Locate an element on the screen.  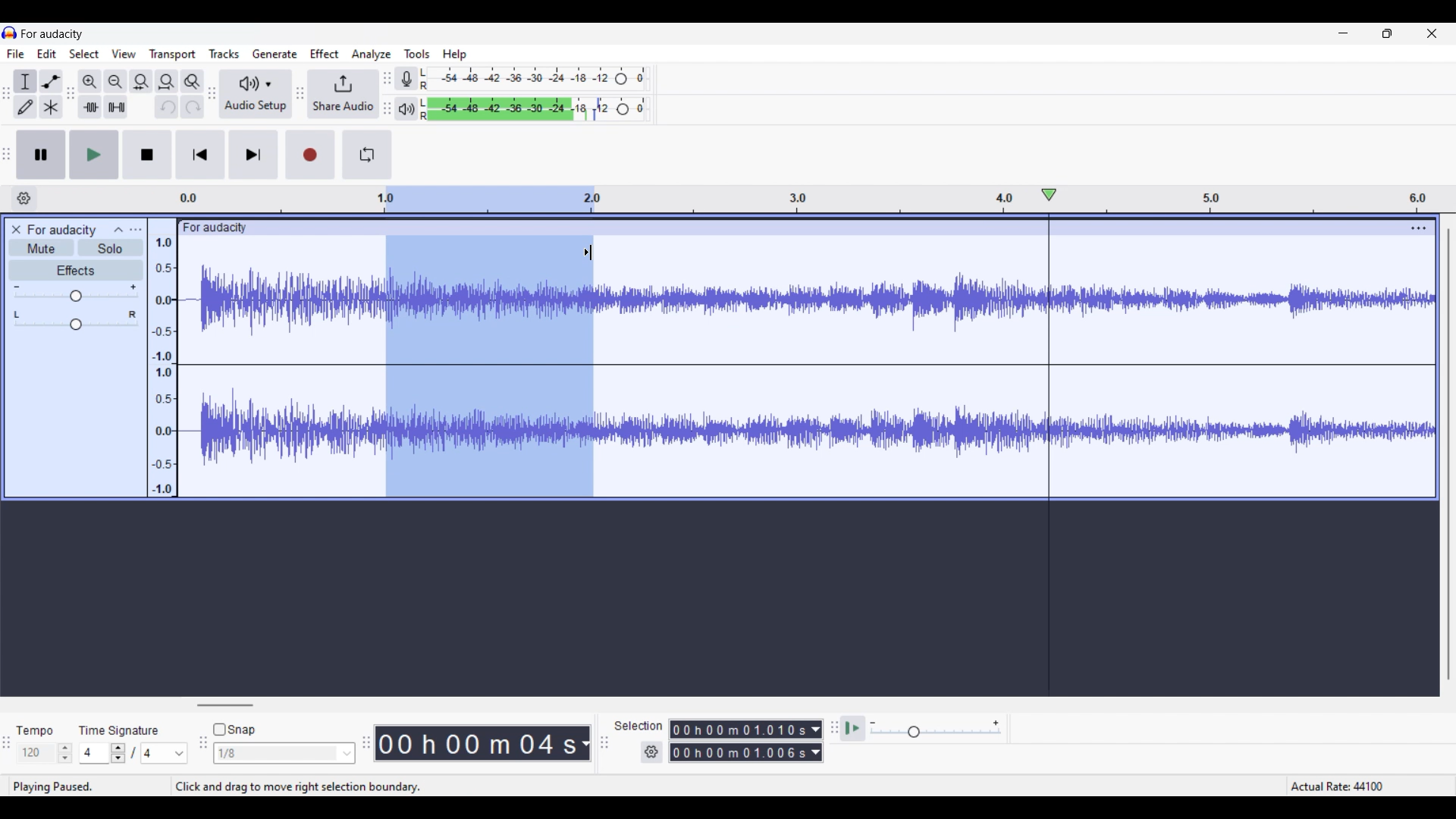
View menu is located at coordinates (124, 53).